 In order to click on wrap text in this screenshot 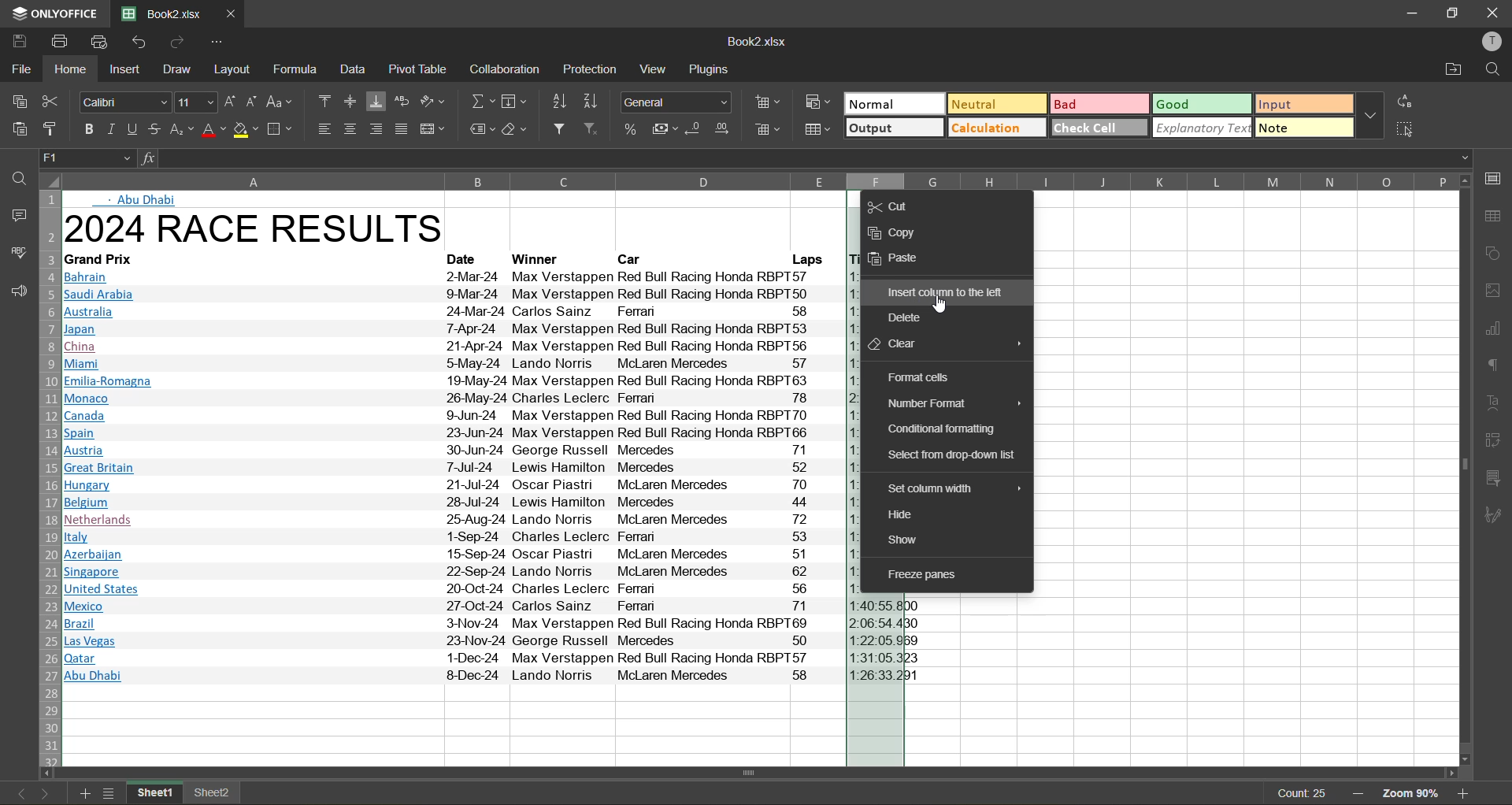, I will do `click(402, 101)`.